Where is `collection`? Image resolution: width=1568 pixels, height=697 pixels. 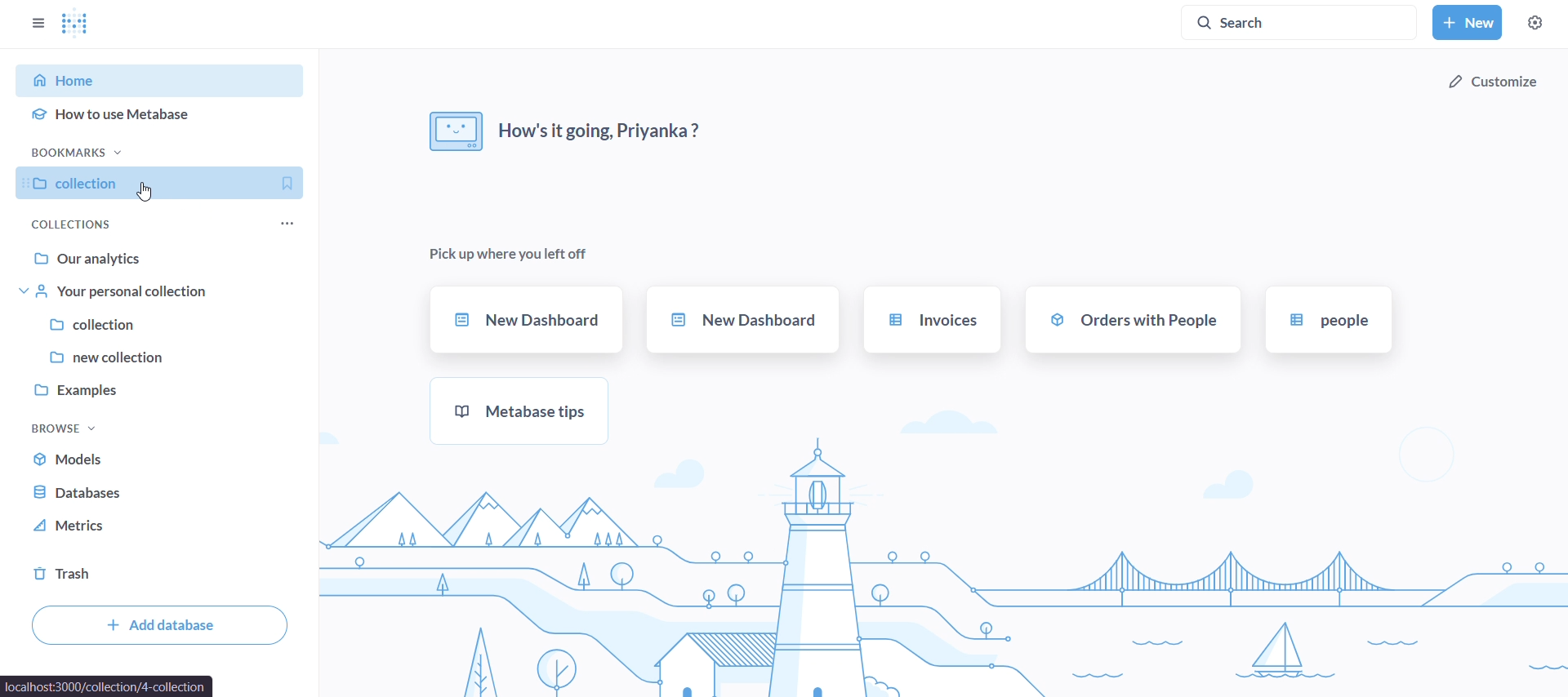 collection is located at coordinates (163, 322).